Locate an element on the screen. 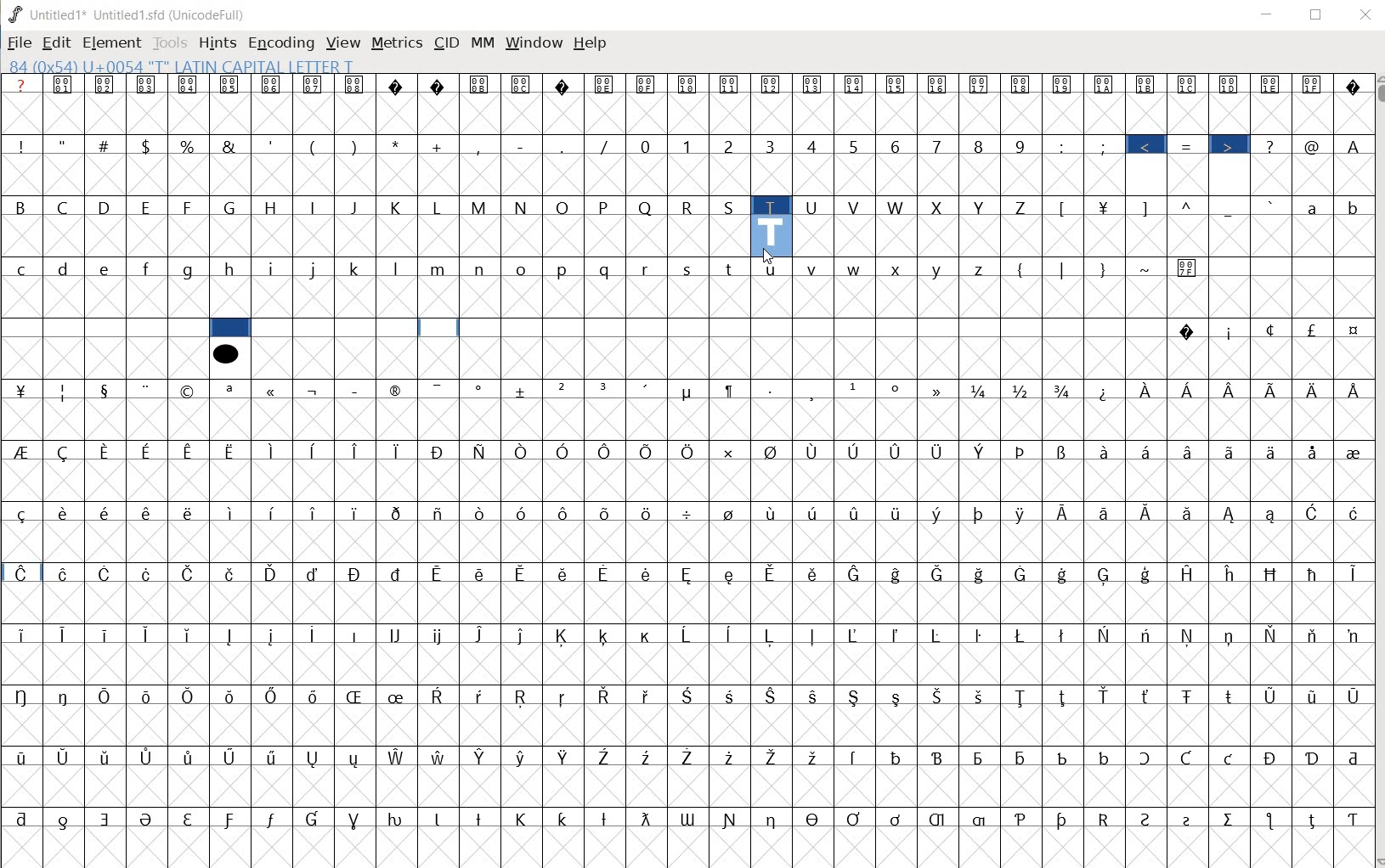 The height and width of the screenshot is (868, 1385). Symbol is located at coordinates (314, 573).